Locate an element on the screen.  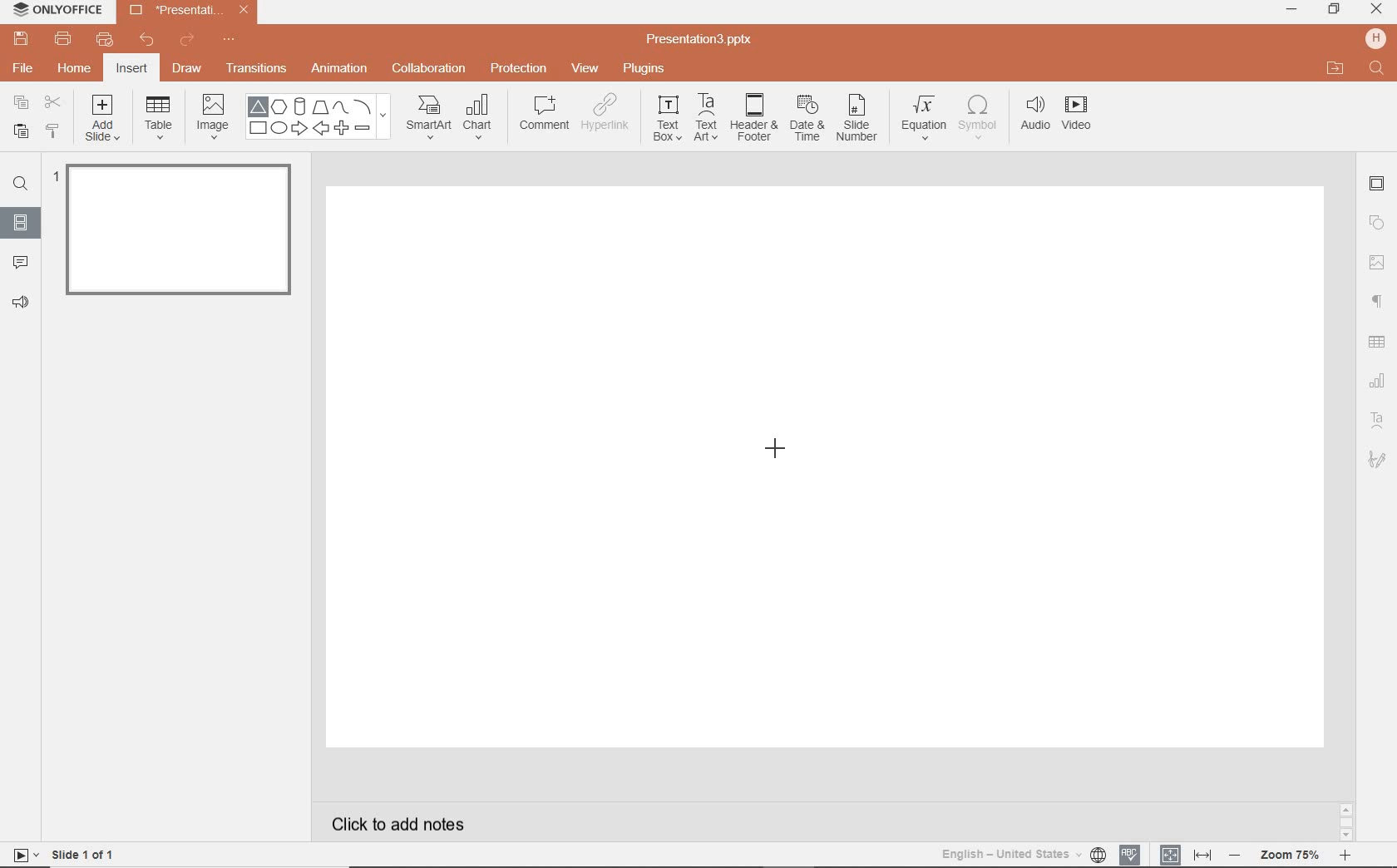
PASTE is located at coordinates (17, 132).